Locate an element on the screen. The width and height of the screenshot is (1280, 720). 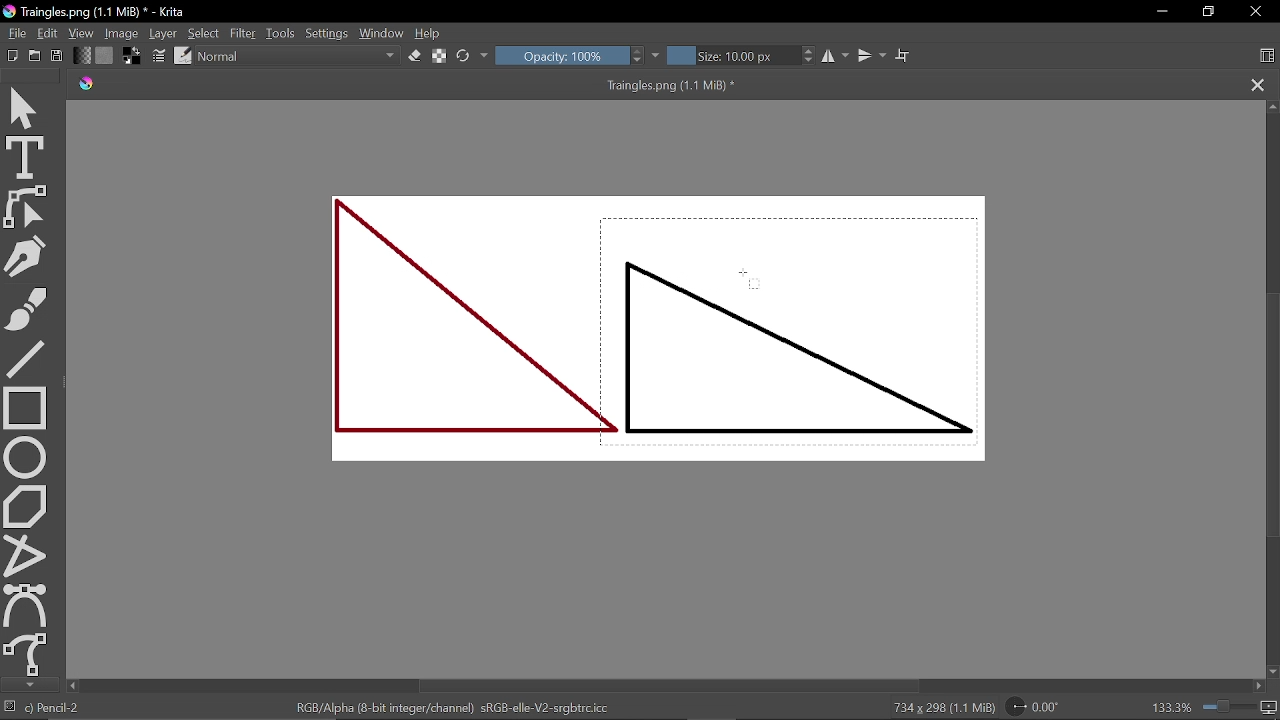
Close is located at coordinates (1255, 12).